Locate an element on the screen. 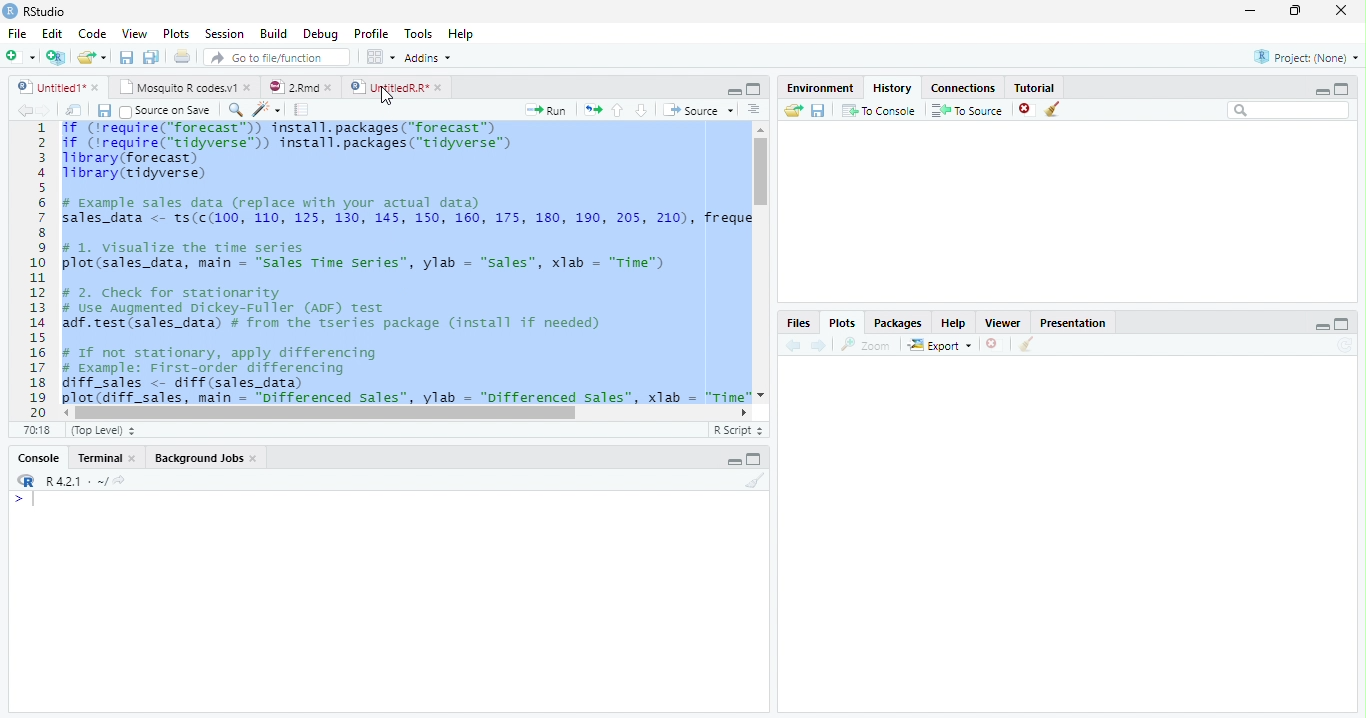 The image size is (1366, 718). save is located at coordinates (818, 110).